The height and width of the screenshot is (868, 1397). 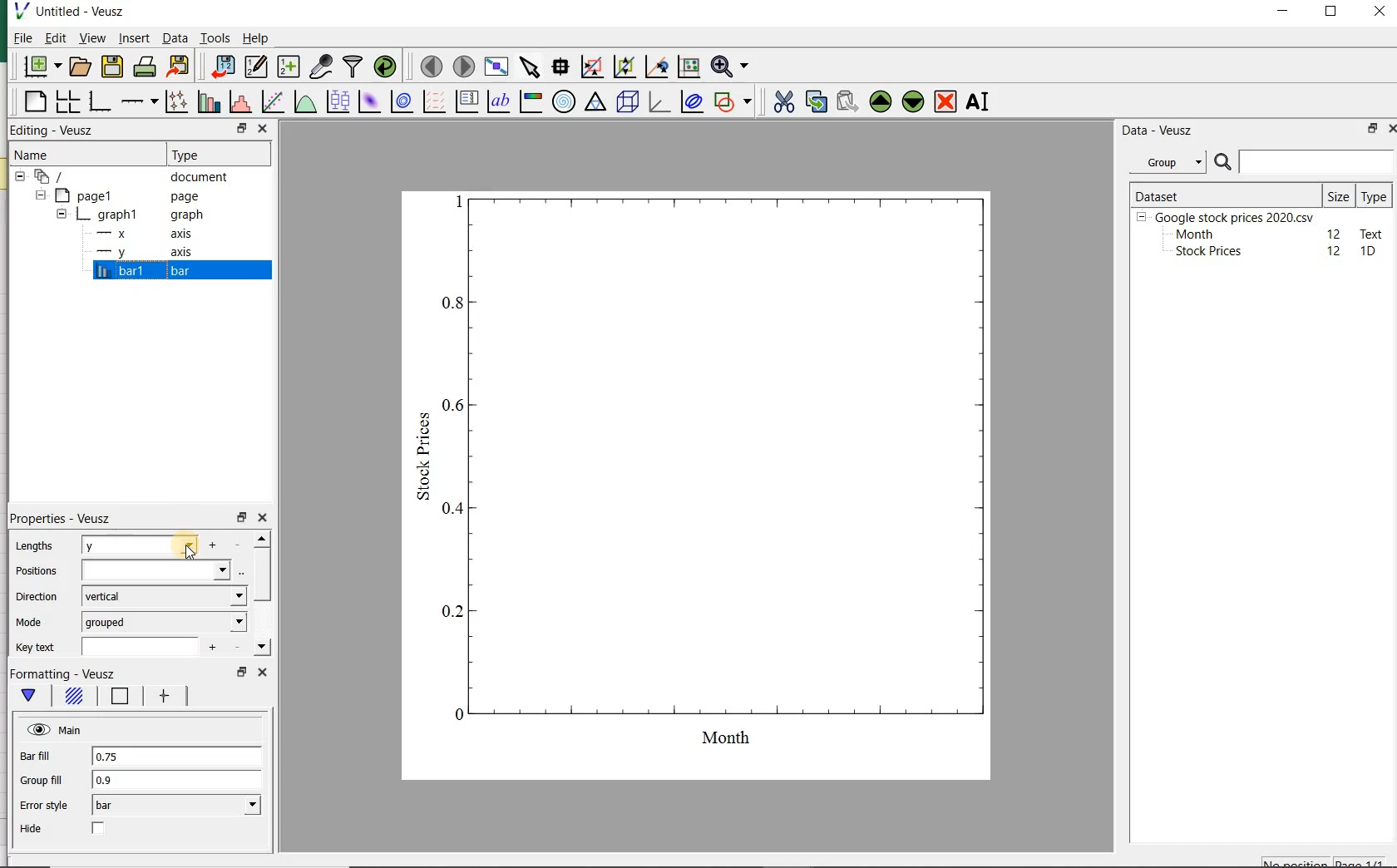 I want to click on graph1, so click(x=127, y=216).